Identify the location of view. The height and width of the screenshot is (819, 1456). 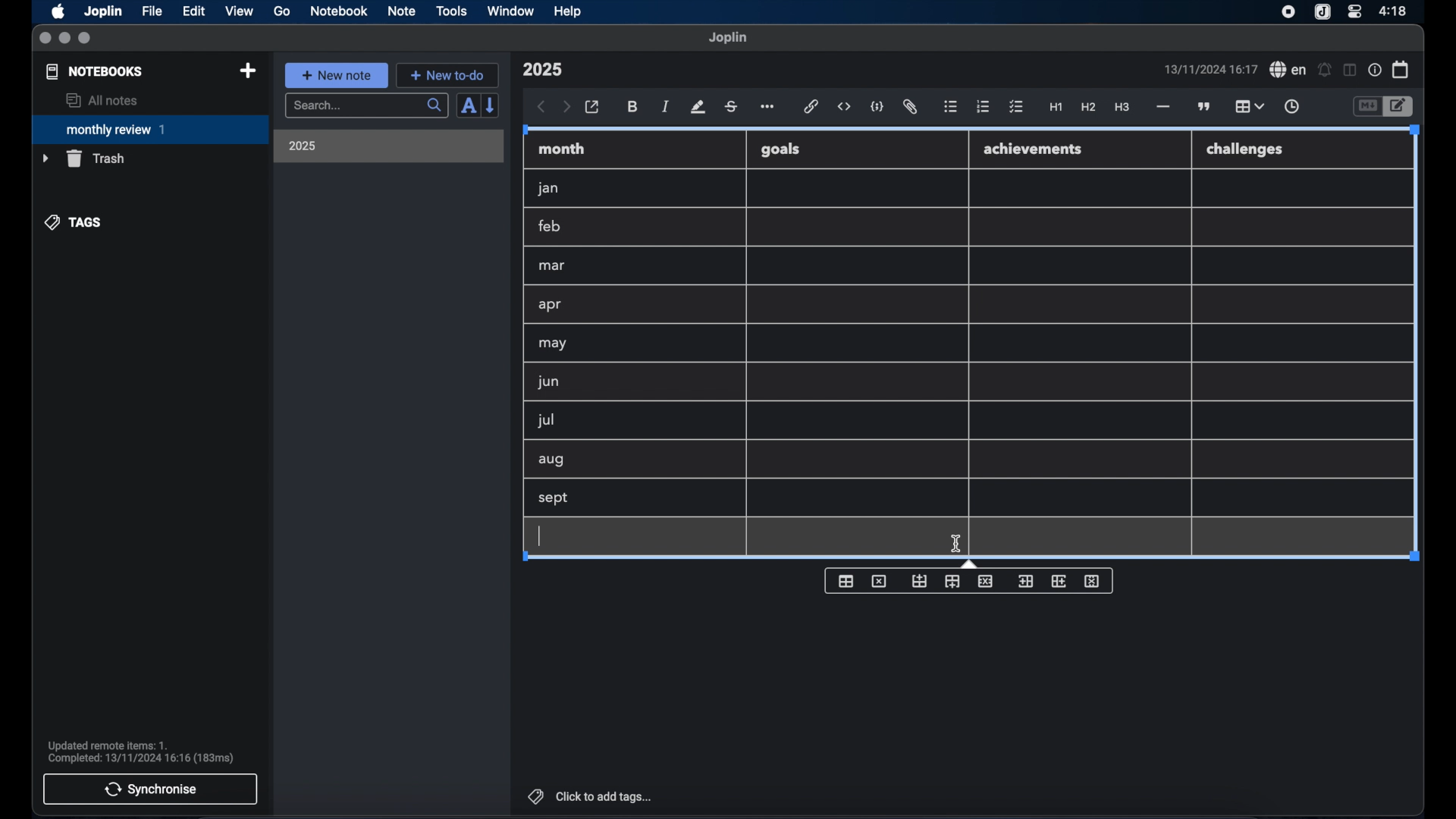
(239, 11).